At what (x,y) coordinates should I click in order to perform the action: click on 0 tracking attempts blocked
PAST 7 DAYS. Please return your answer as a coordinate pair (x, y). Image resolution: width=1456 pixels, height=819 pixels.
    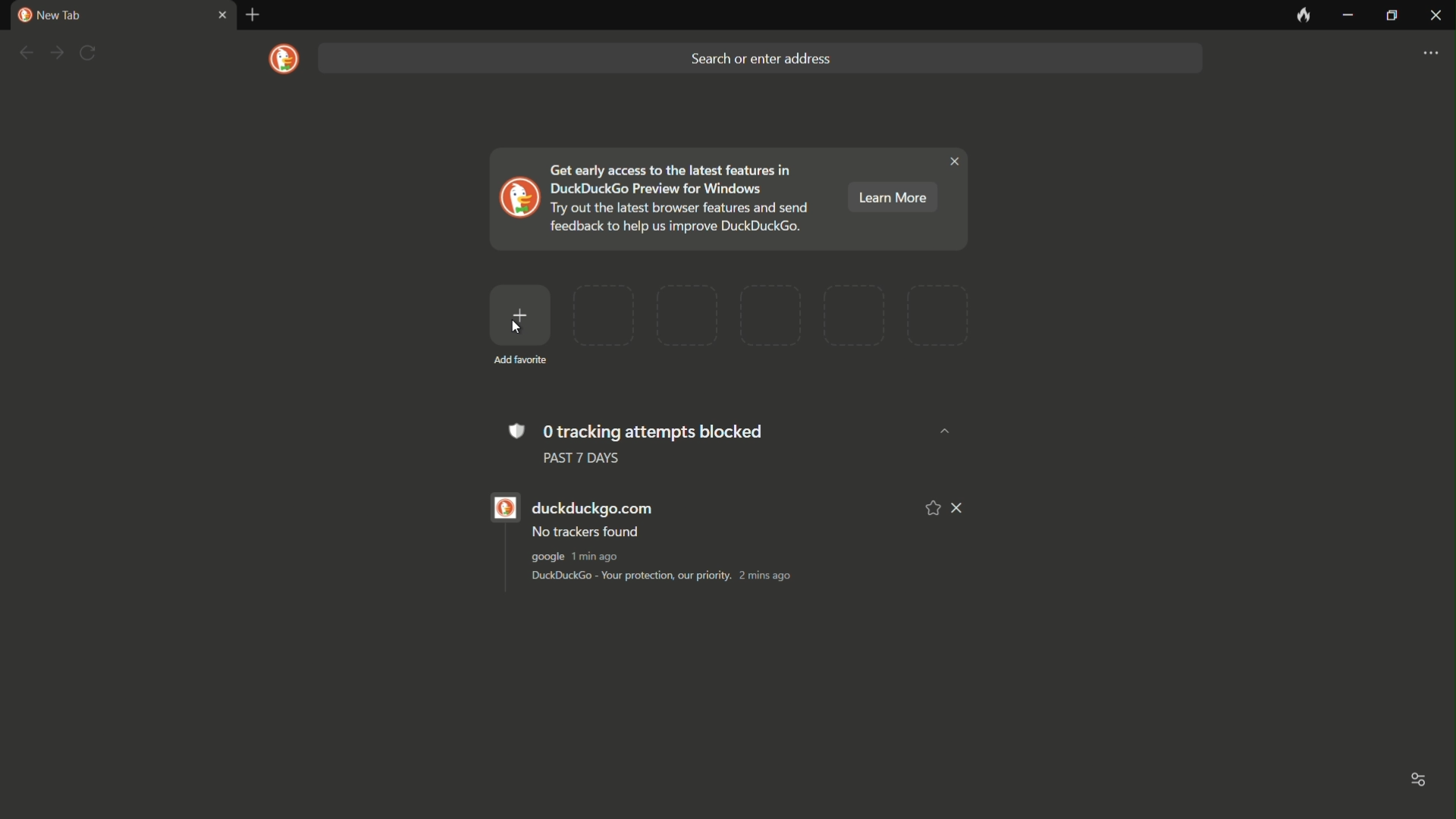
    Looking at the image, I should click on (739, 446).